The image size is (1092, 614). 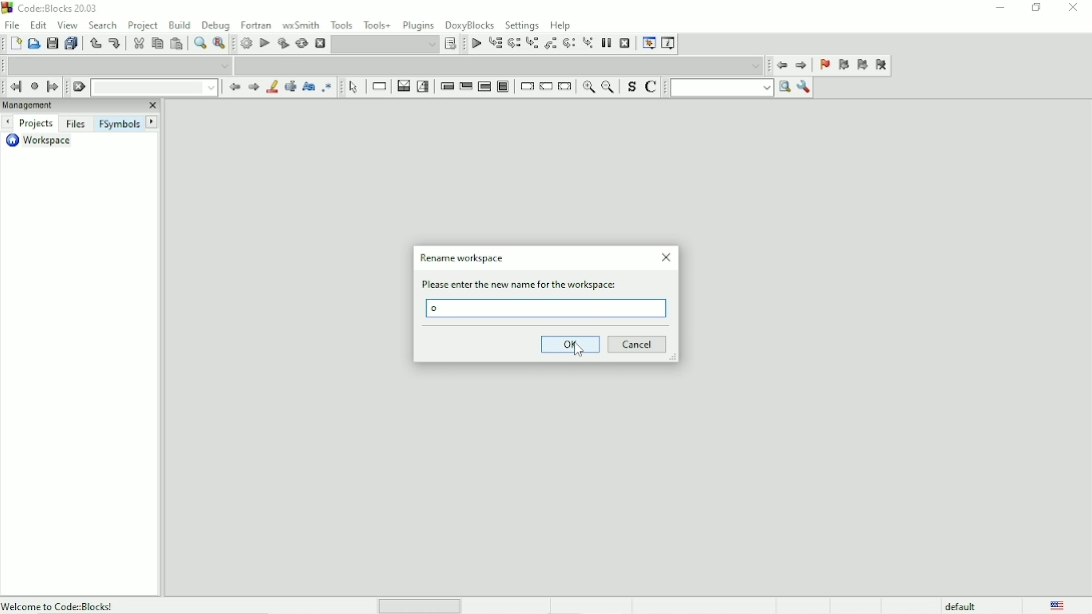 I want to click on Run to cursor, so click(x=496, y=45).